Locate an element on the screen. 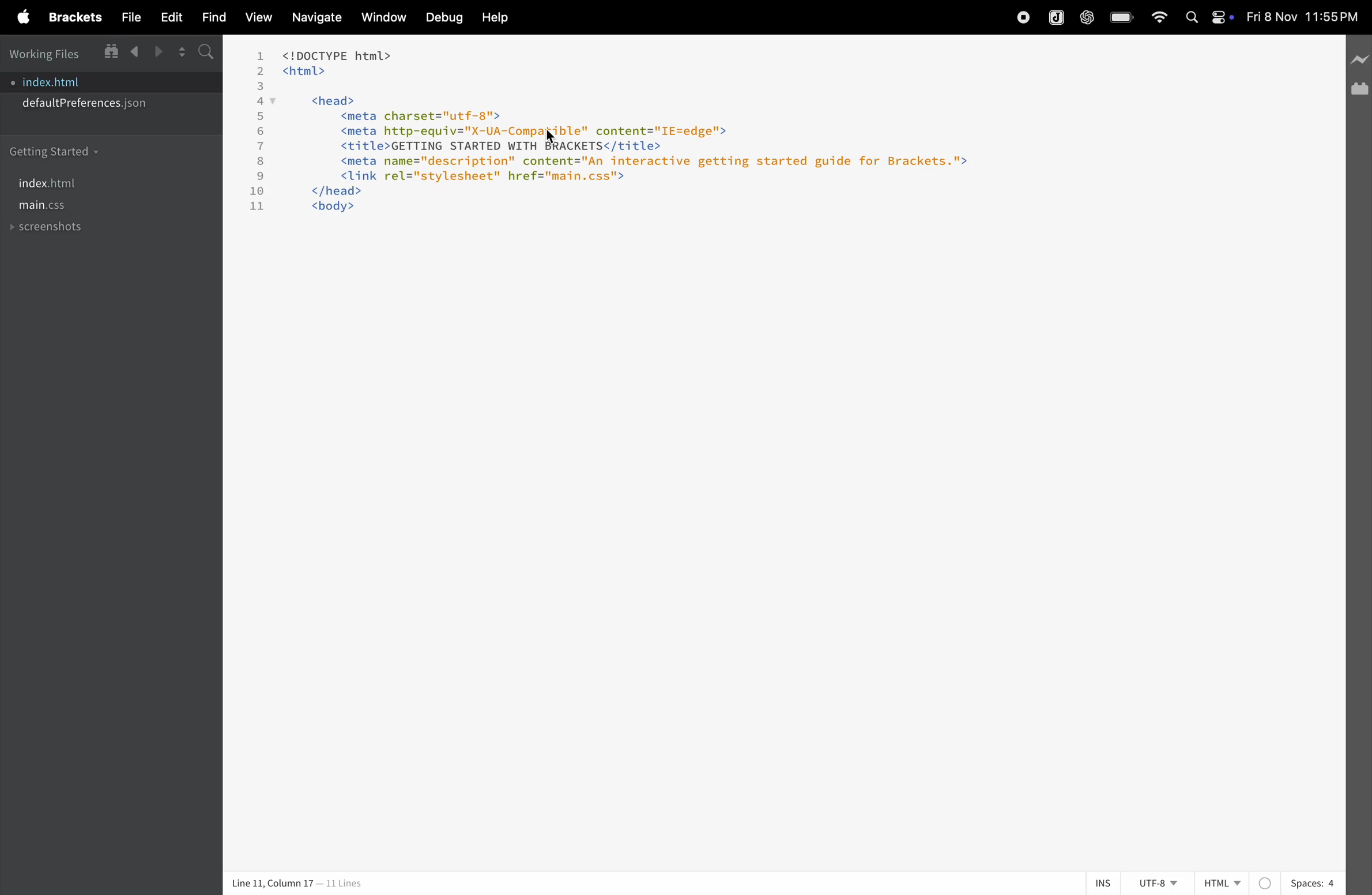  wifi is located at coordinates (1159, 18).